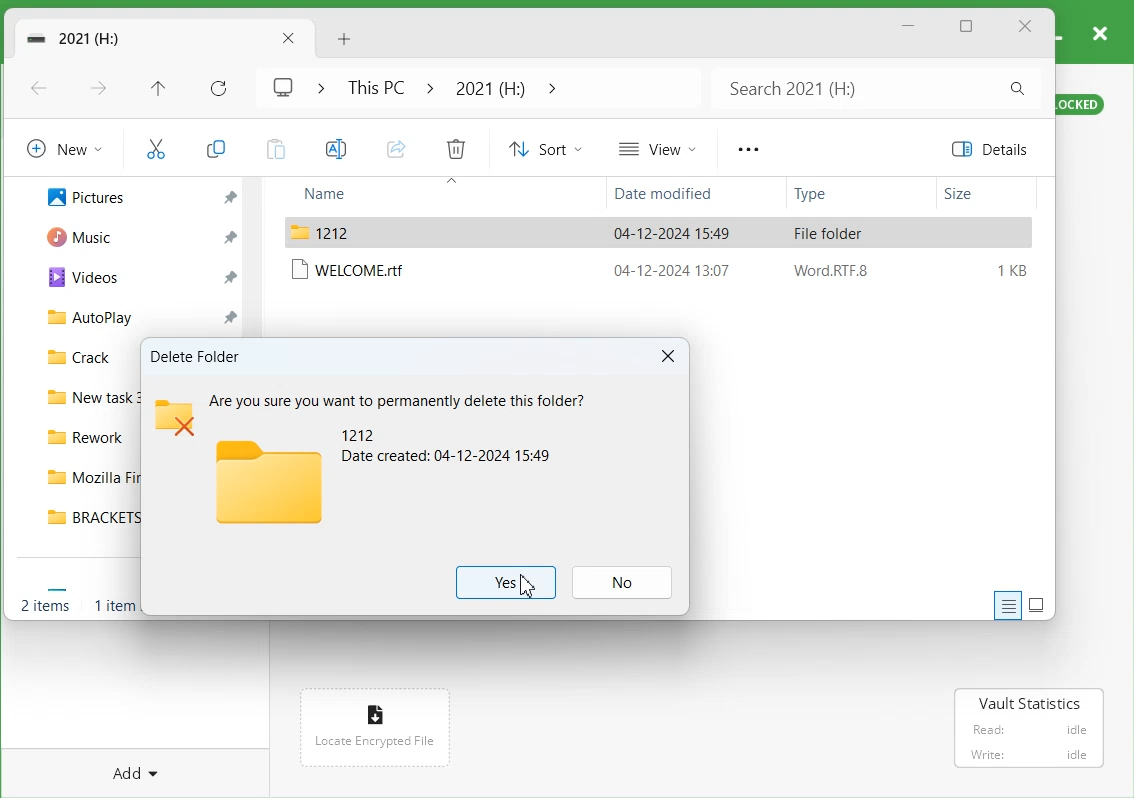  Describe the element at coordinates (873, 88) in the screenshot. I see `Search bar` at that location.